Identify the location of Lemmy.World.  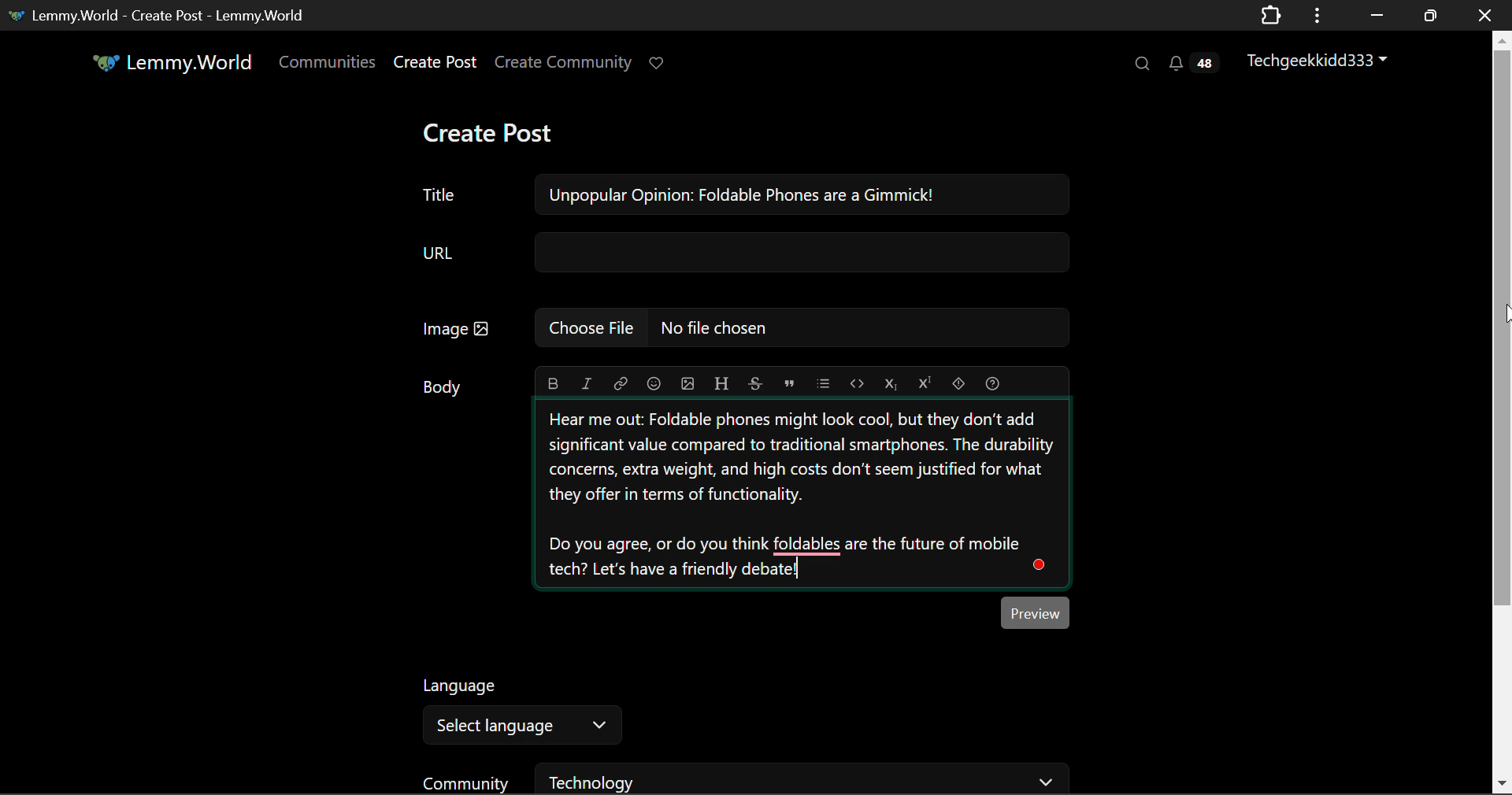
(175, 65).